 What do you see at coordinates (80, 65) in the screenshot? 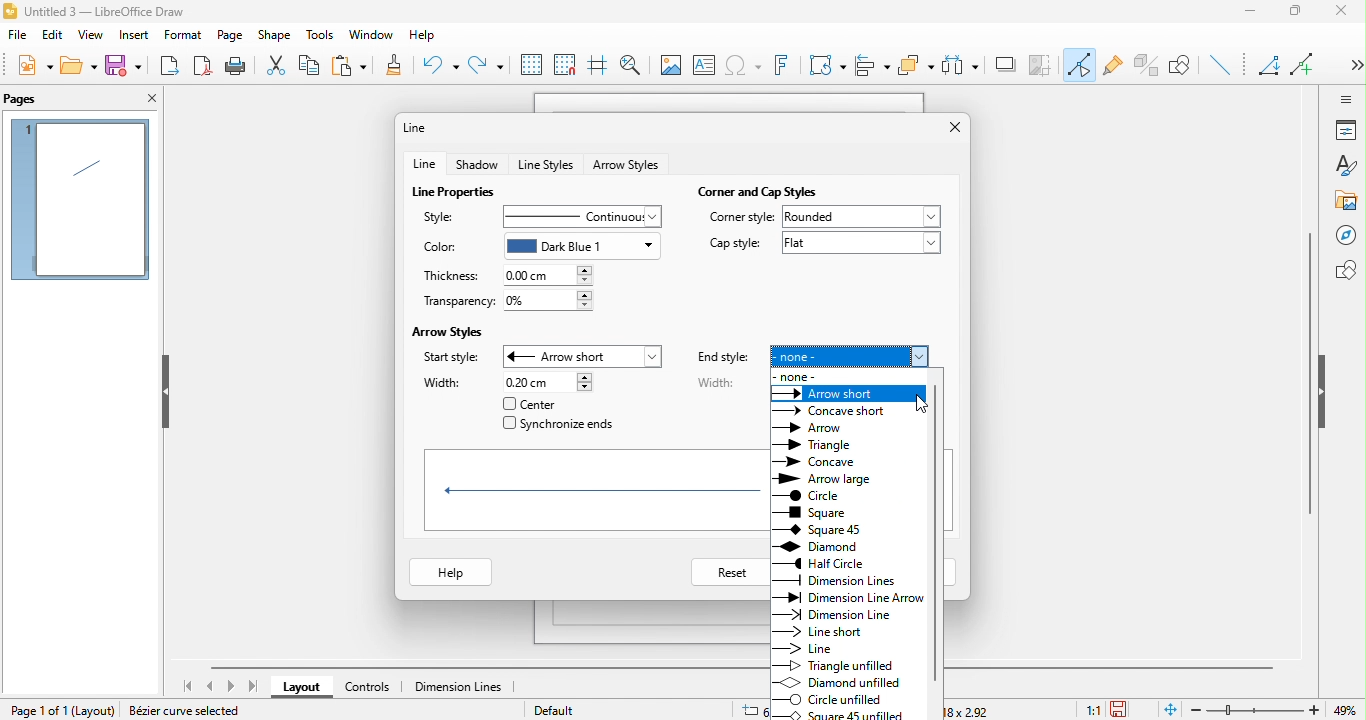
I see `open` at bounding box center [80, 65].